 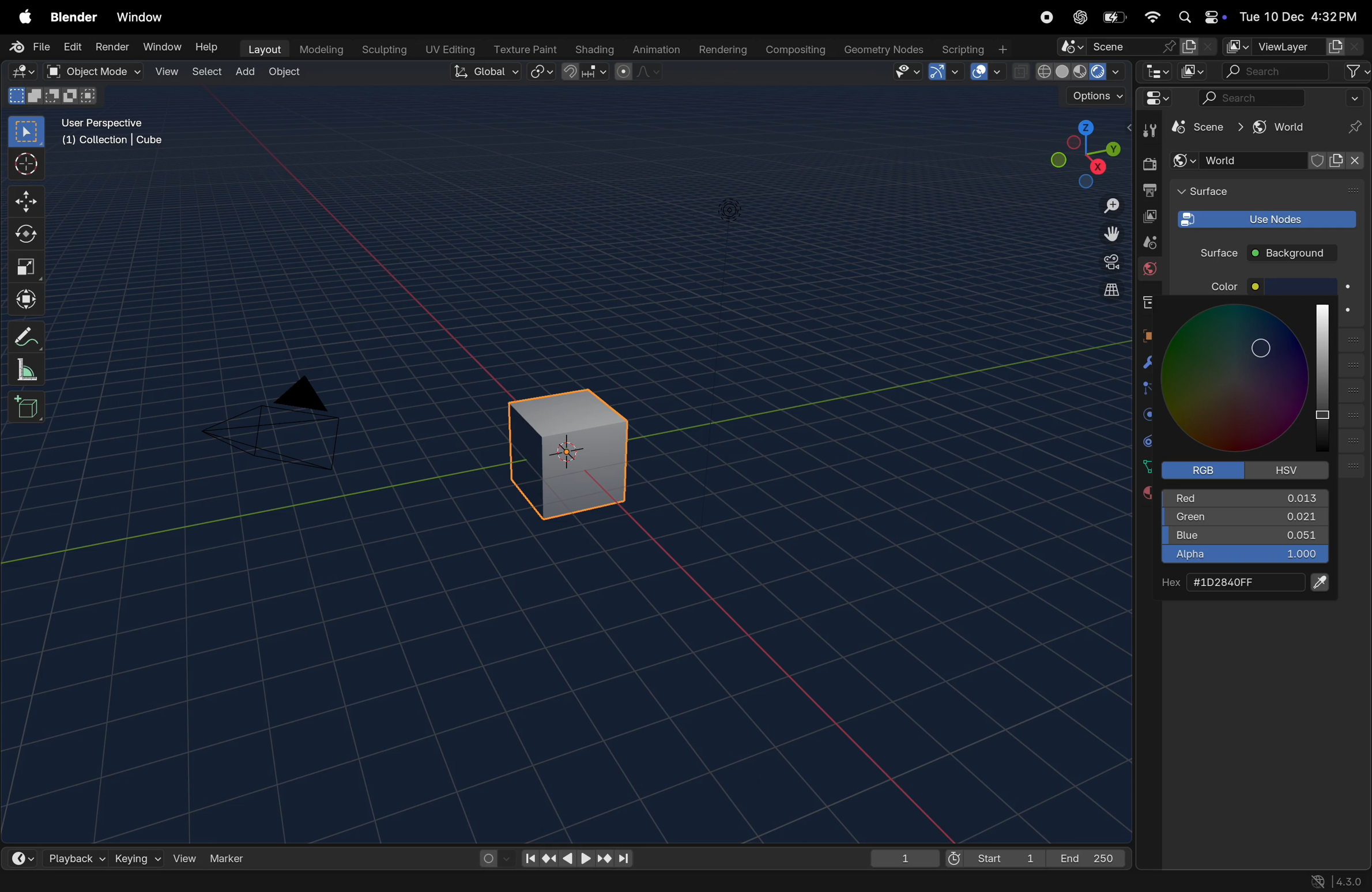 What do you see at coordinates (203, 73) in the screenshot?
I see `select` at bounding box center [203, 73].